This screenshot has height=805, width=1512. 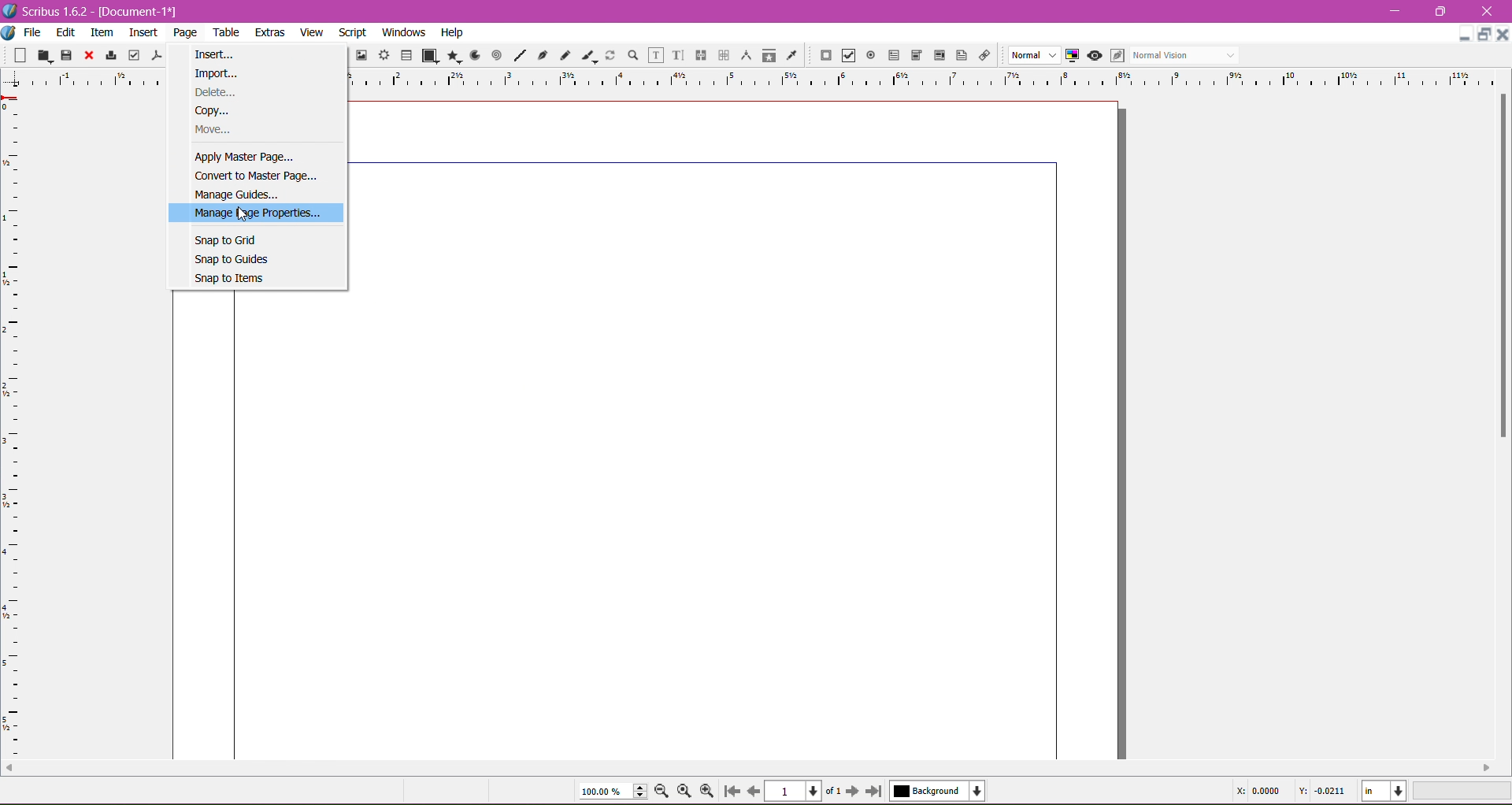 I want to click on Item, so click(x=101, y=32).